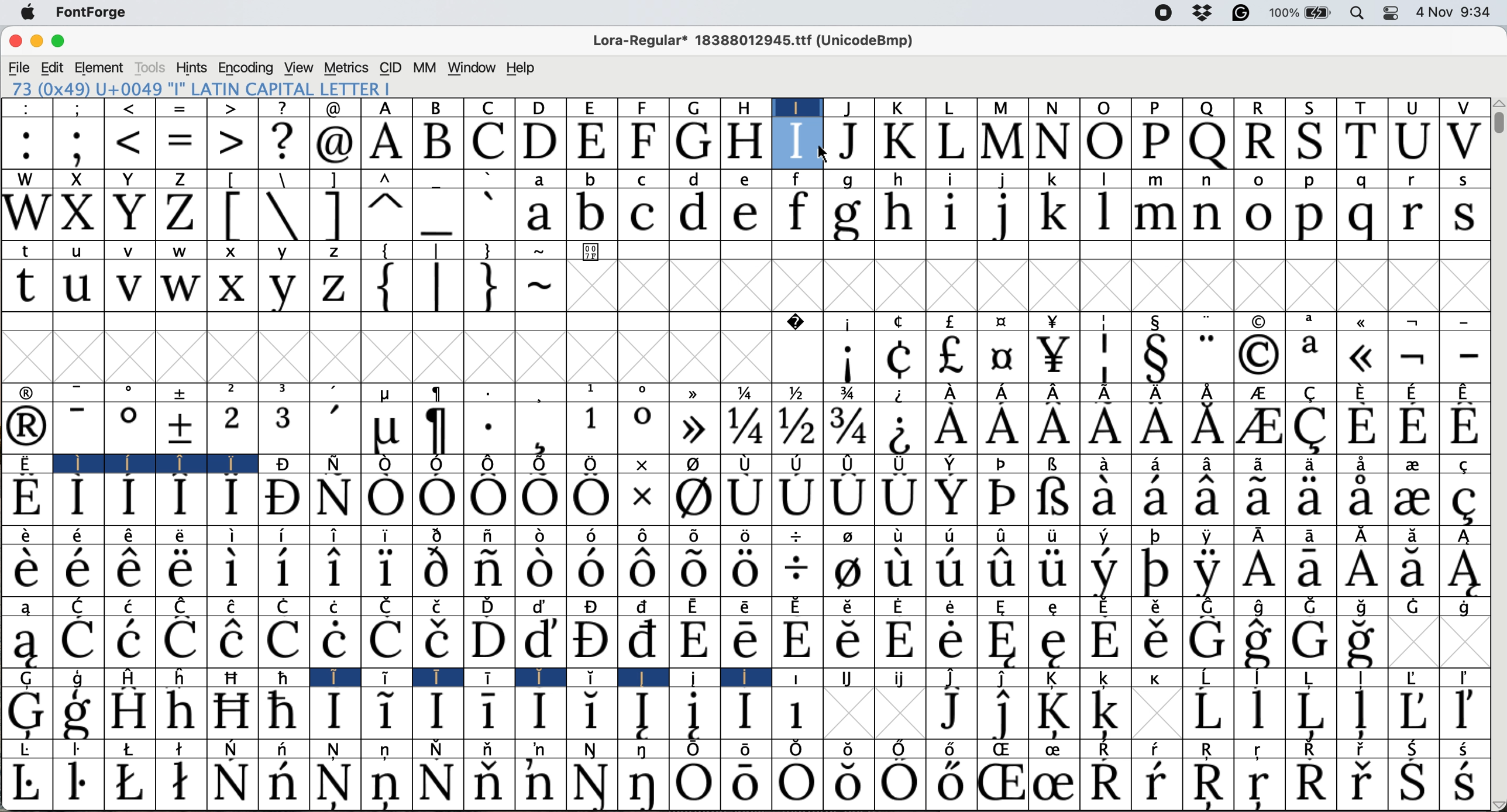 This screenshot has height=812, width=1507. What do you see at coordinates (747, 536) in the screenshot?
I see `Symbol` at bounding box center [747, 536].